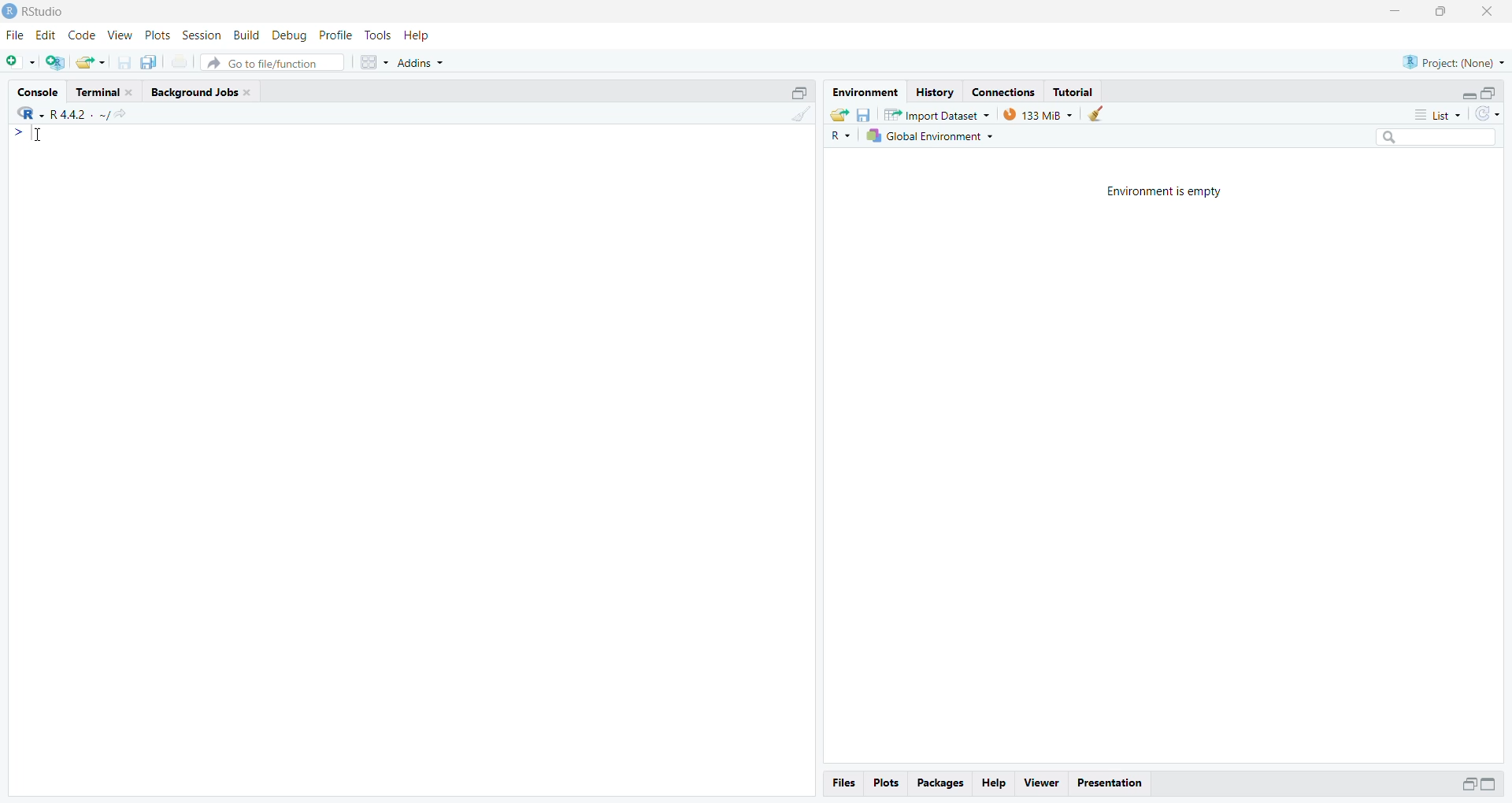  What do you see at coordinates (798, 93) in the screenshot?
I see `Maximize` at bounding box center [798, 93].